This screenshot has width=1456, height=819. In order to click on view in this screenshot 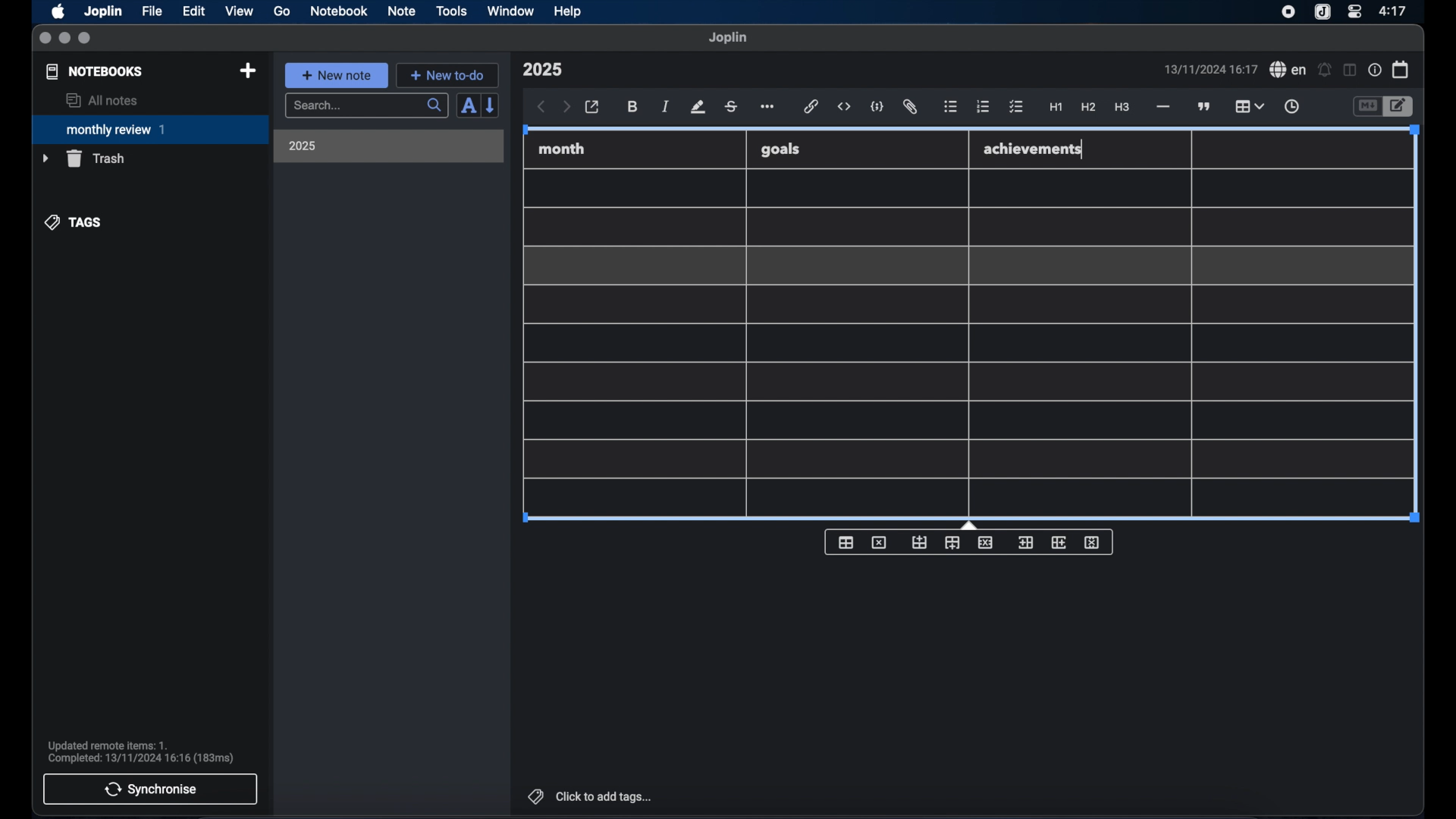, I will do `click(239, 11)`.